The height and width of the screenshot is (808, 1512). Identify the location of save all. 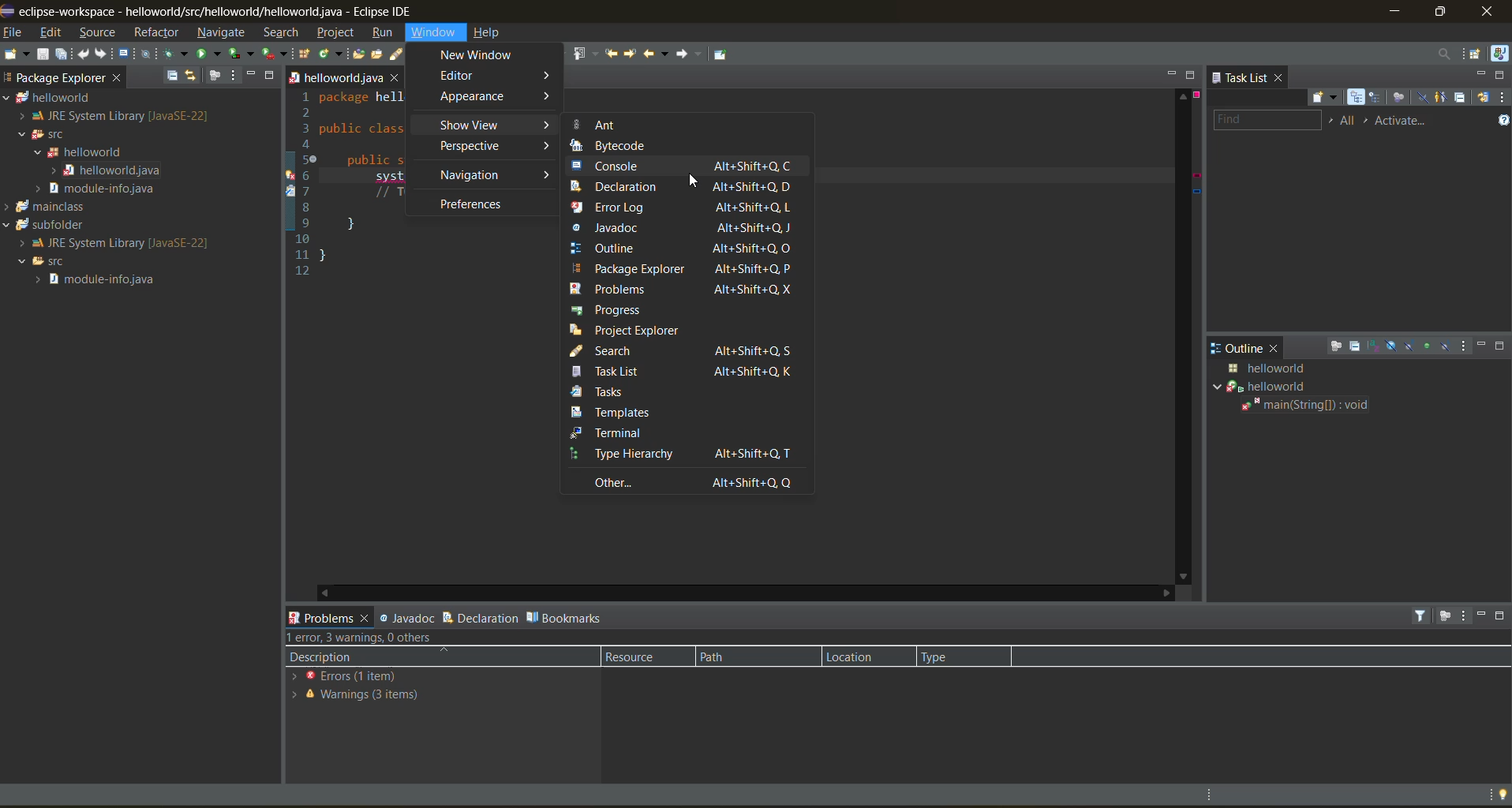
(60, 55).